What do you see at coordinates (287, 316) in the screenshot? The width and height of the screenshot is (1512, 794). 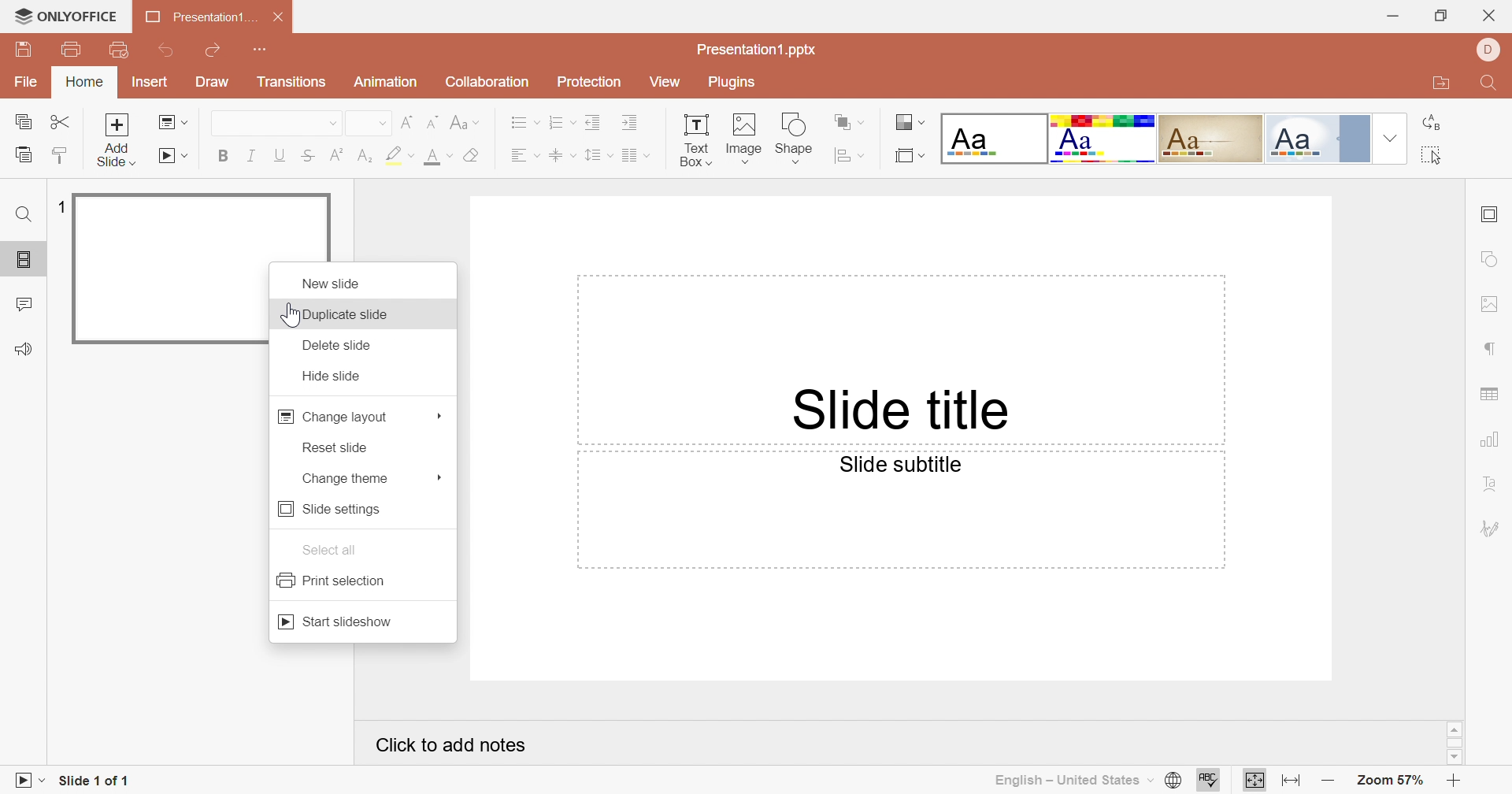 I see `Cursor` at bounding box center [287, 316].